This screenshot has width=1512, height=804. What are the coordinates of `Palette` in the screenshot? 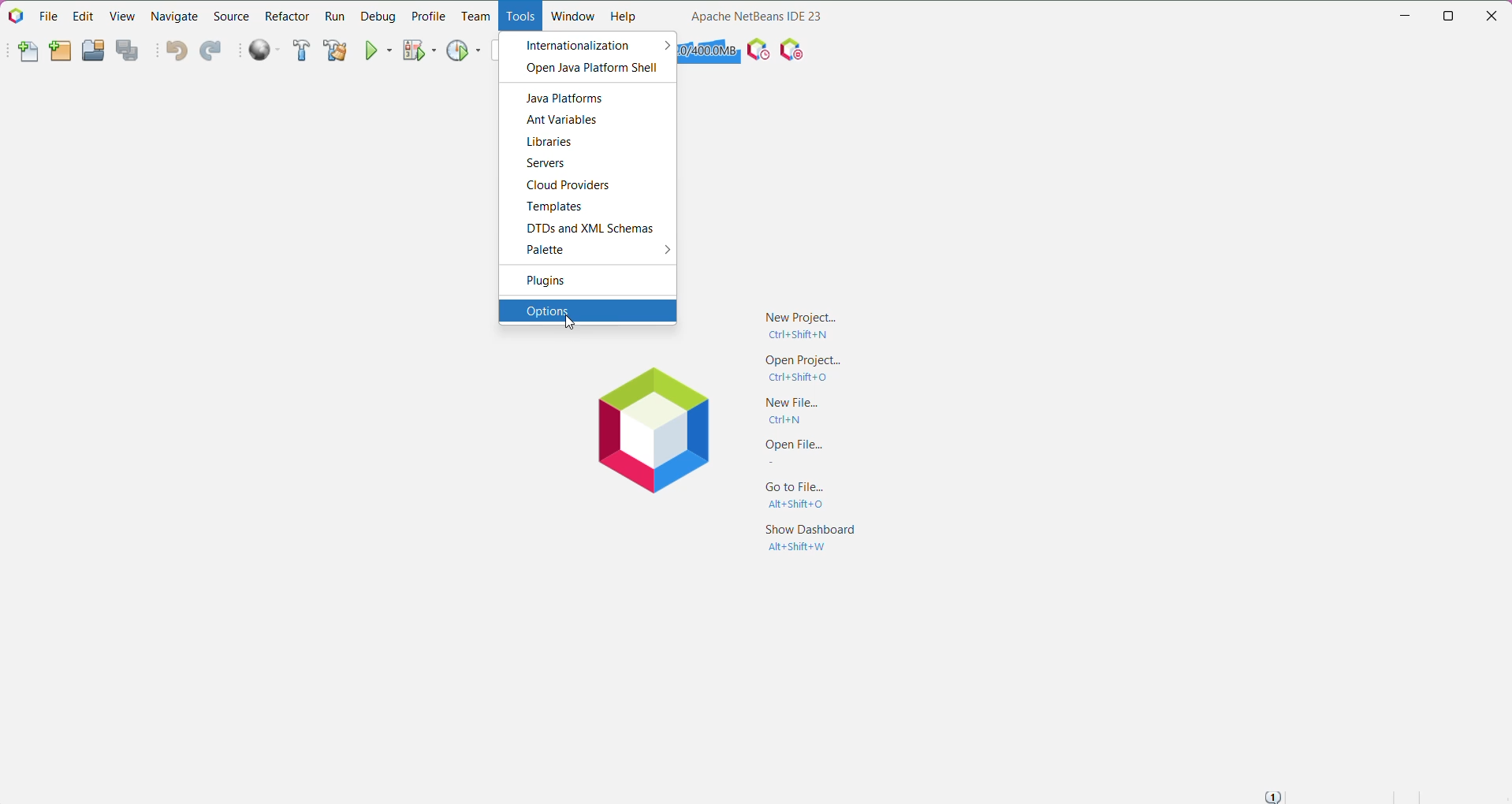 It's located at (549, 251).